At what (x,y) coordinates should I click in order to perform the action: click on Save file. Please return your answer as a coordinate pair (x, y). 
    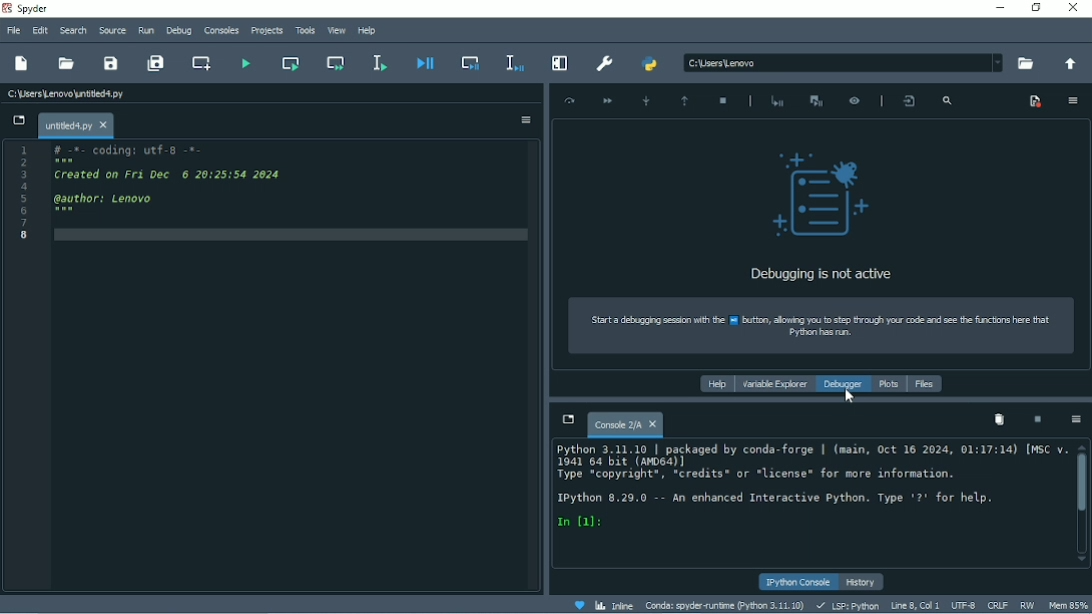
    Looking at the image, I should click on (112, 63).